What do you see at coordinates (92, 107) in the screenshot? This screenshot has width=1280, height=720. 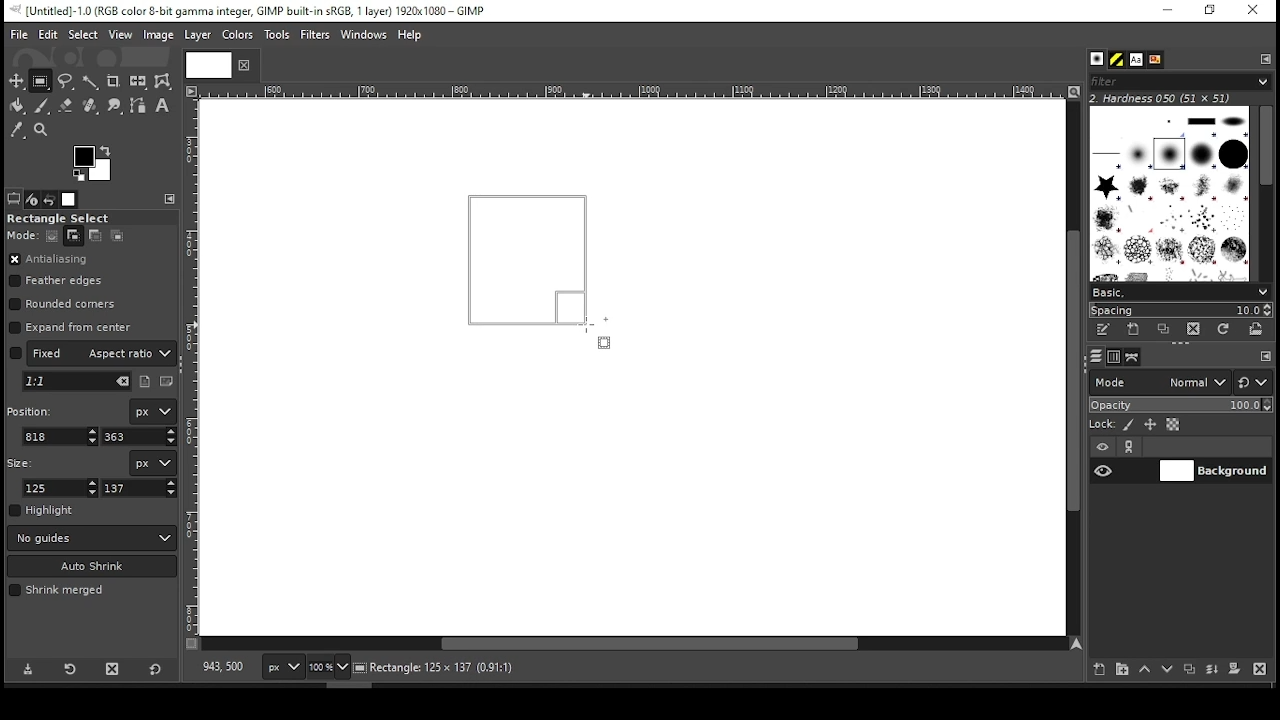 I see `heal tool` at bounding box center [92, 107].